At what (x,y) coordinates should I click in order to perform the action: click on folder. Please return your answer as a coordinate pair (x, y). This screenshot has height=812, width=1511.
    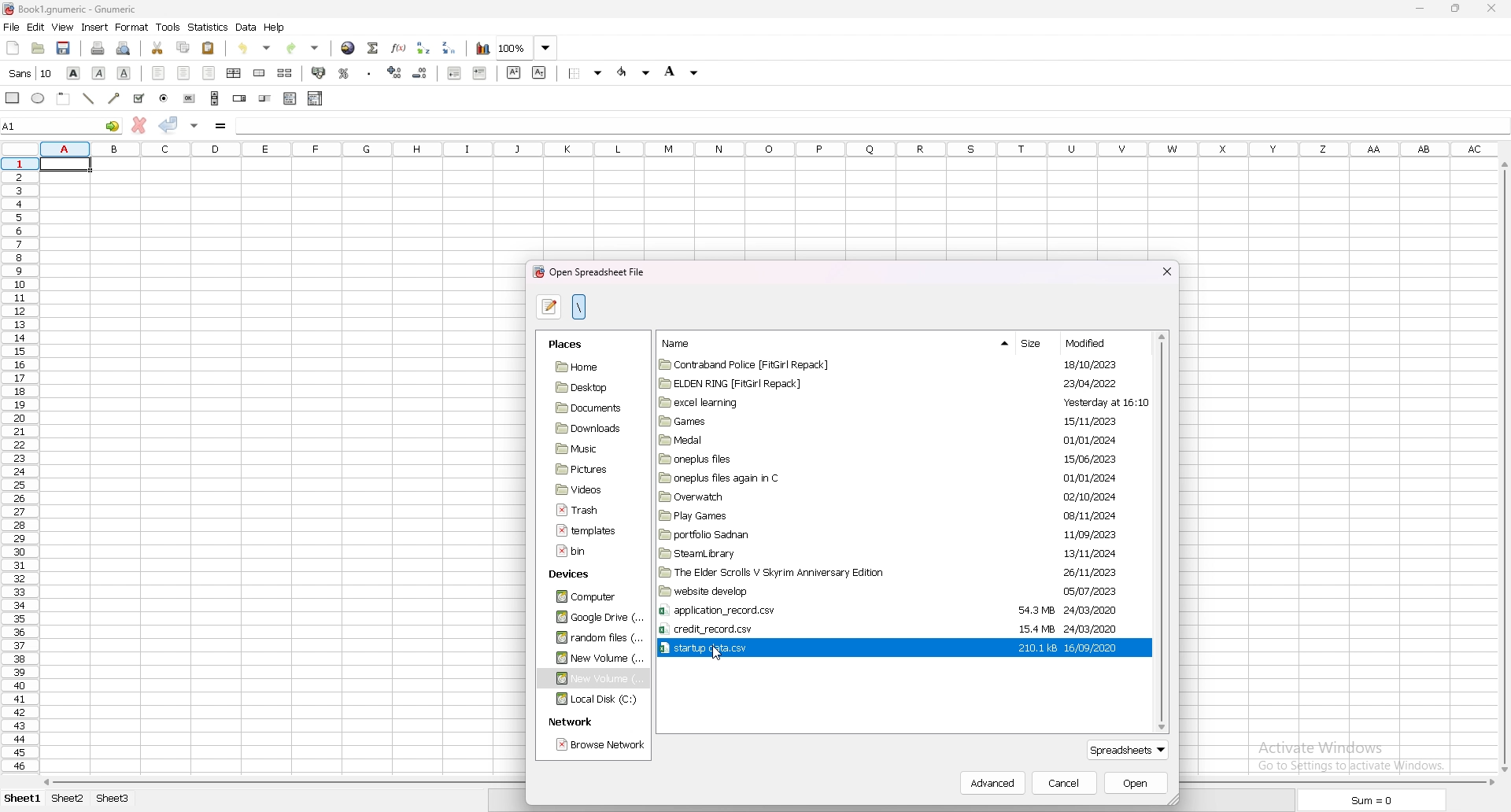
    Looking at the image, I should click on (826, 383).